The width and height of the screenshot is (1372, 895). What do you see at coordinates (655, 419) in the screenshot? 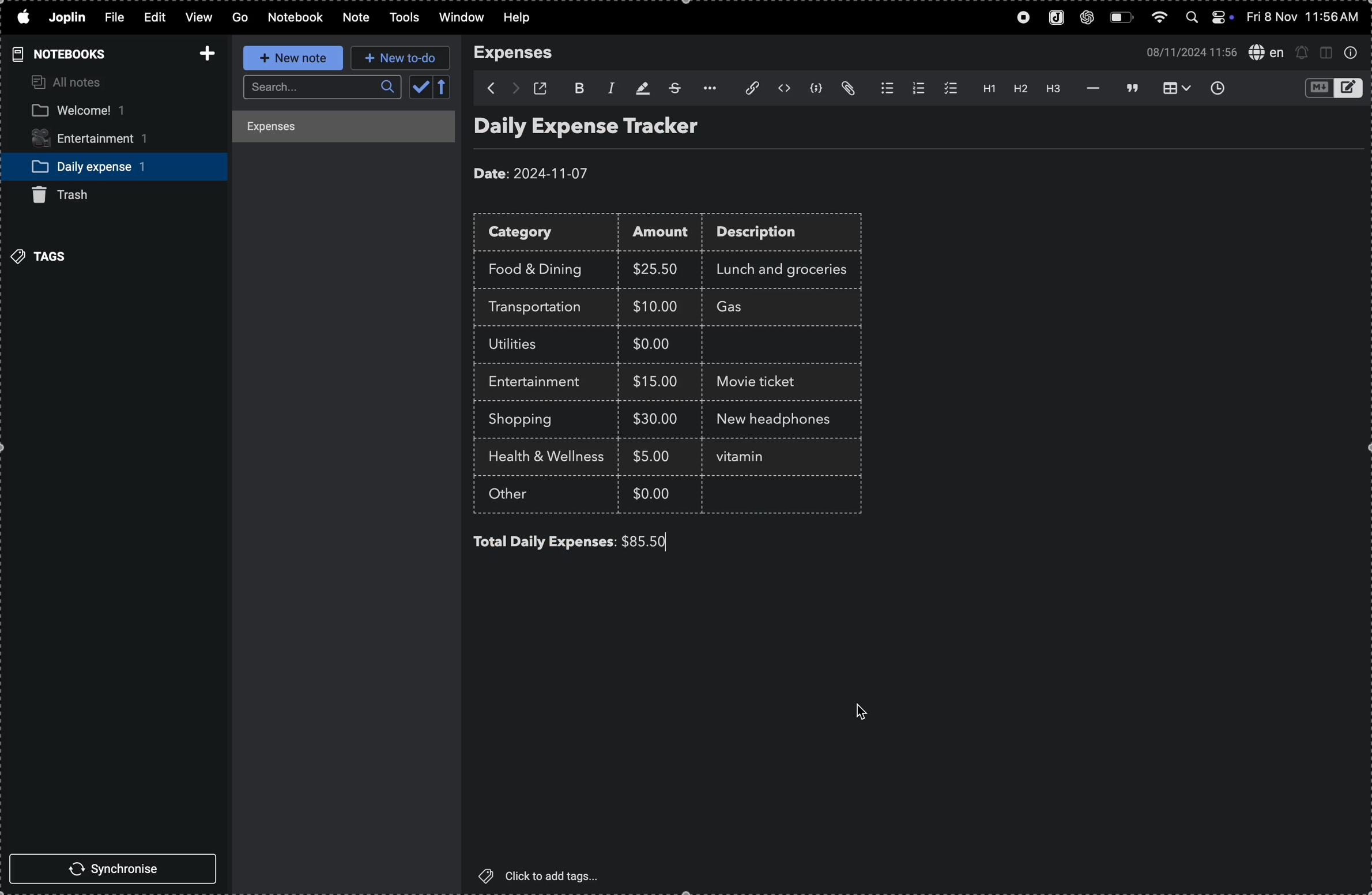
I see `$30.00` at bounding box center [655, 419].